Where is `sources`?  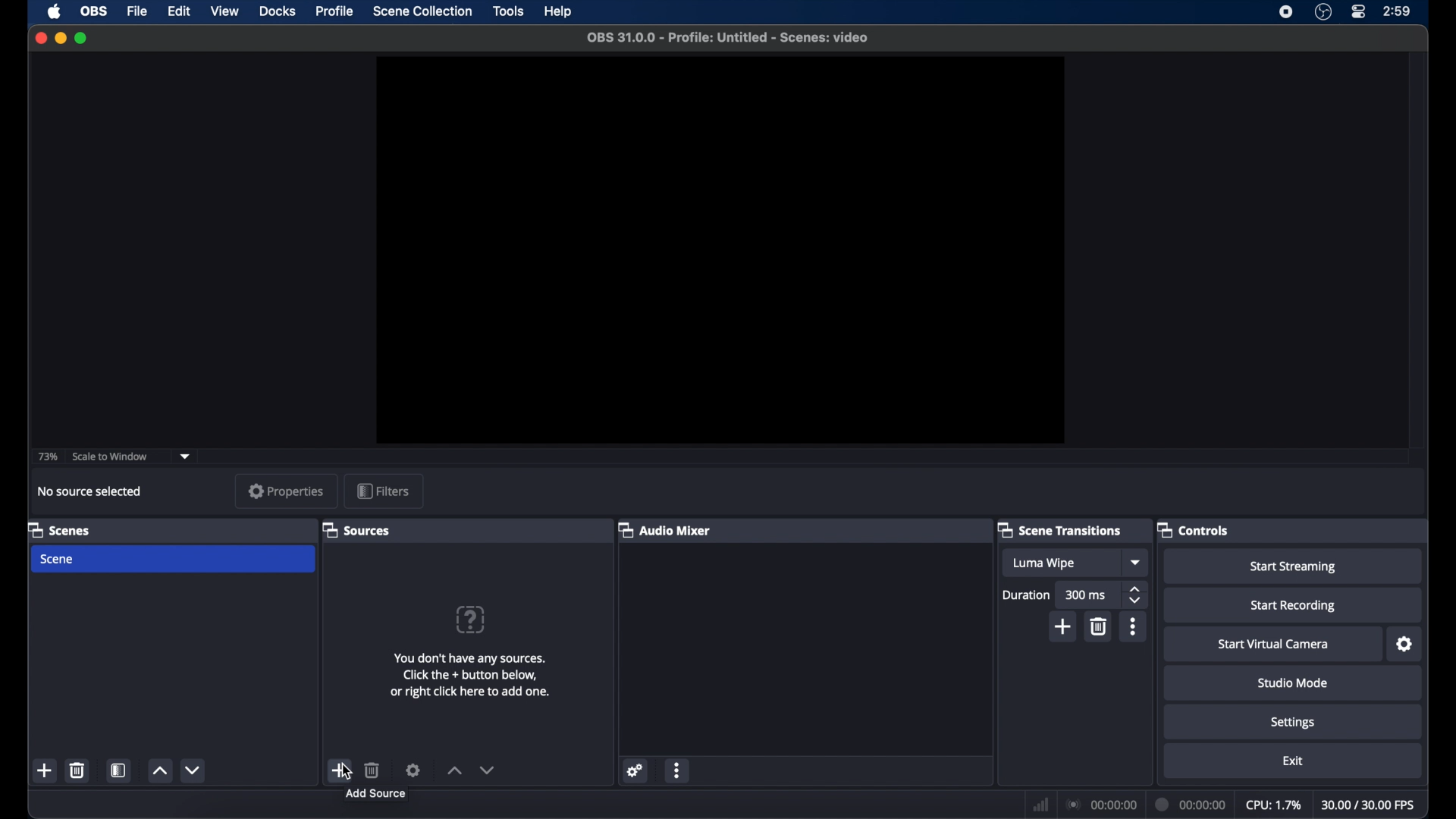
sources is located at coordinates (356, 529).